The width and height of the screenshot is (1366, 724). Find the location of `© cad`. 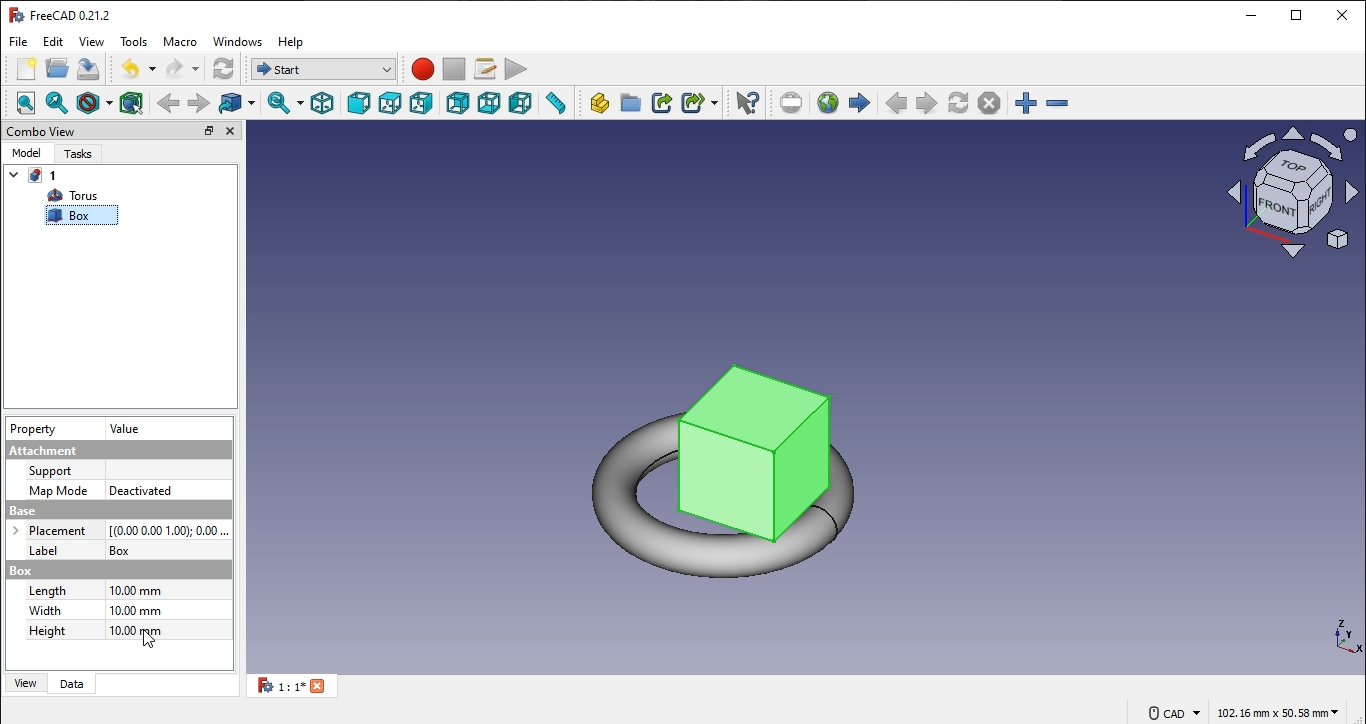

© cad is located at coordinates (1170, 711).